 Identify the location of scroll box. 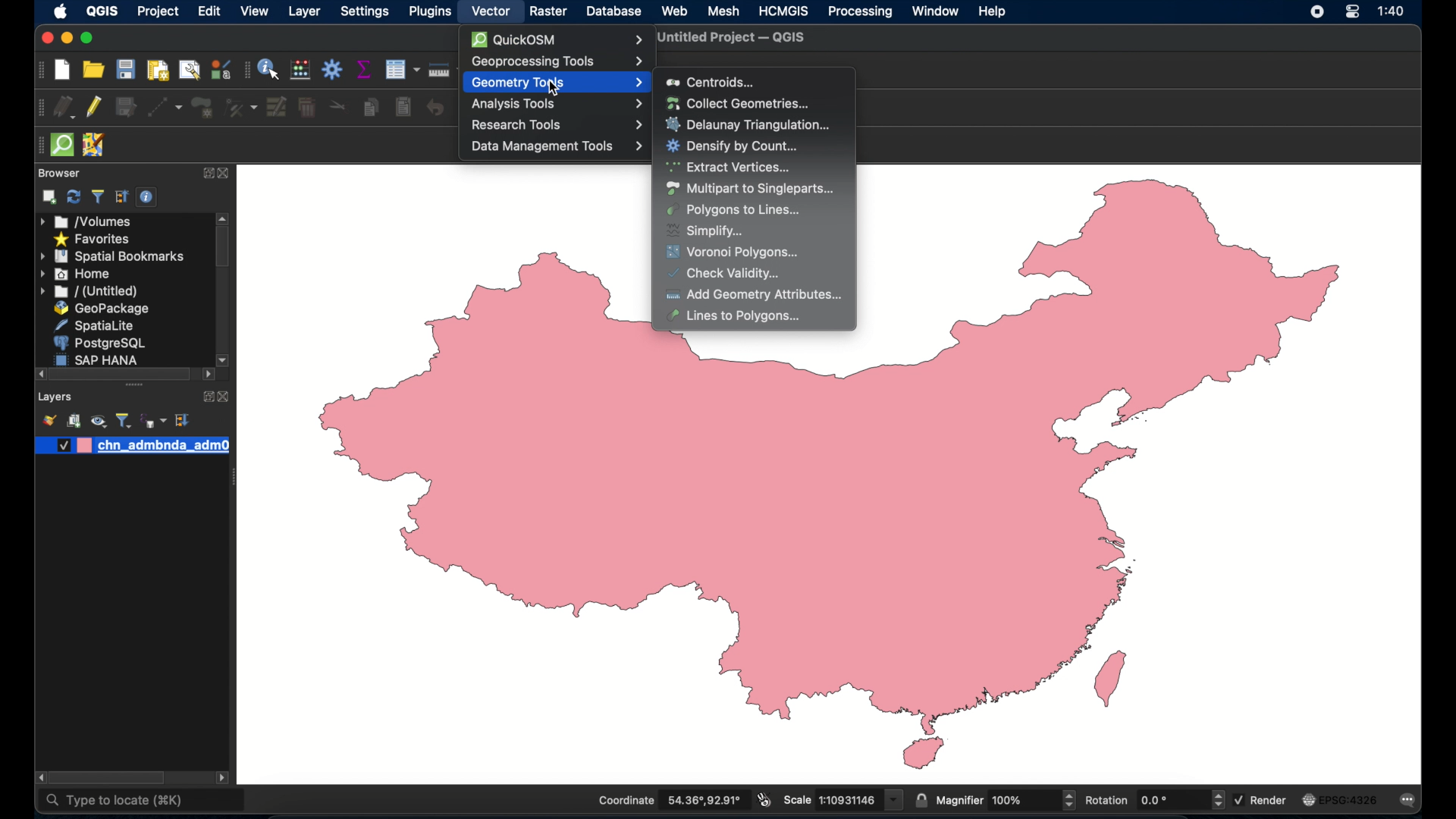
(107, 777).